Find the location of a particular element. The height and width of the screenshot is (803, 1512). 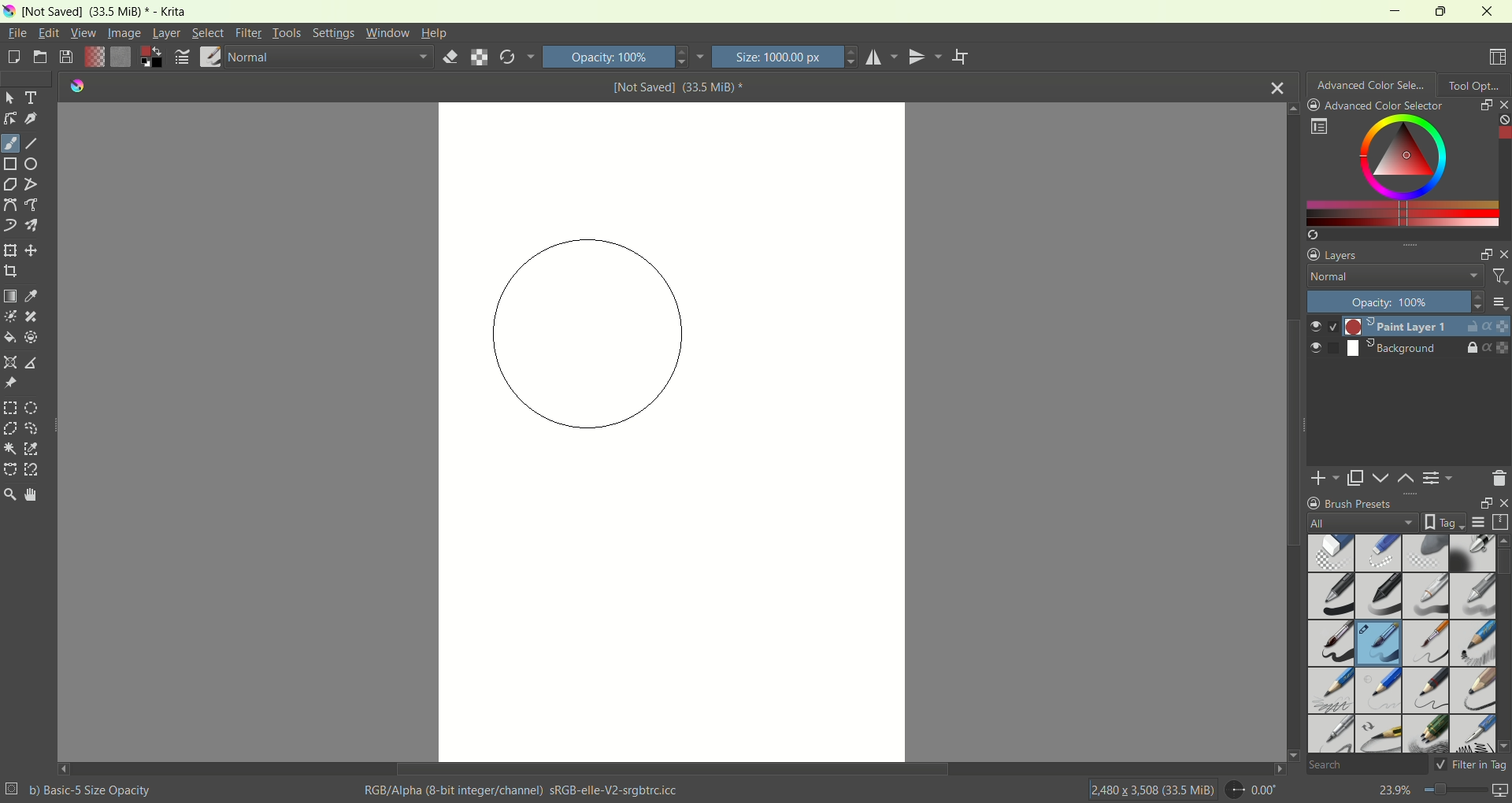

options is located at coordinates (1499, 302).